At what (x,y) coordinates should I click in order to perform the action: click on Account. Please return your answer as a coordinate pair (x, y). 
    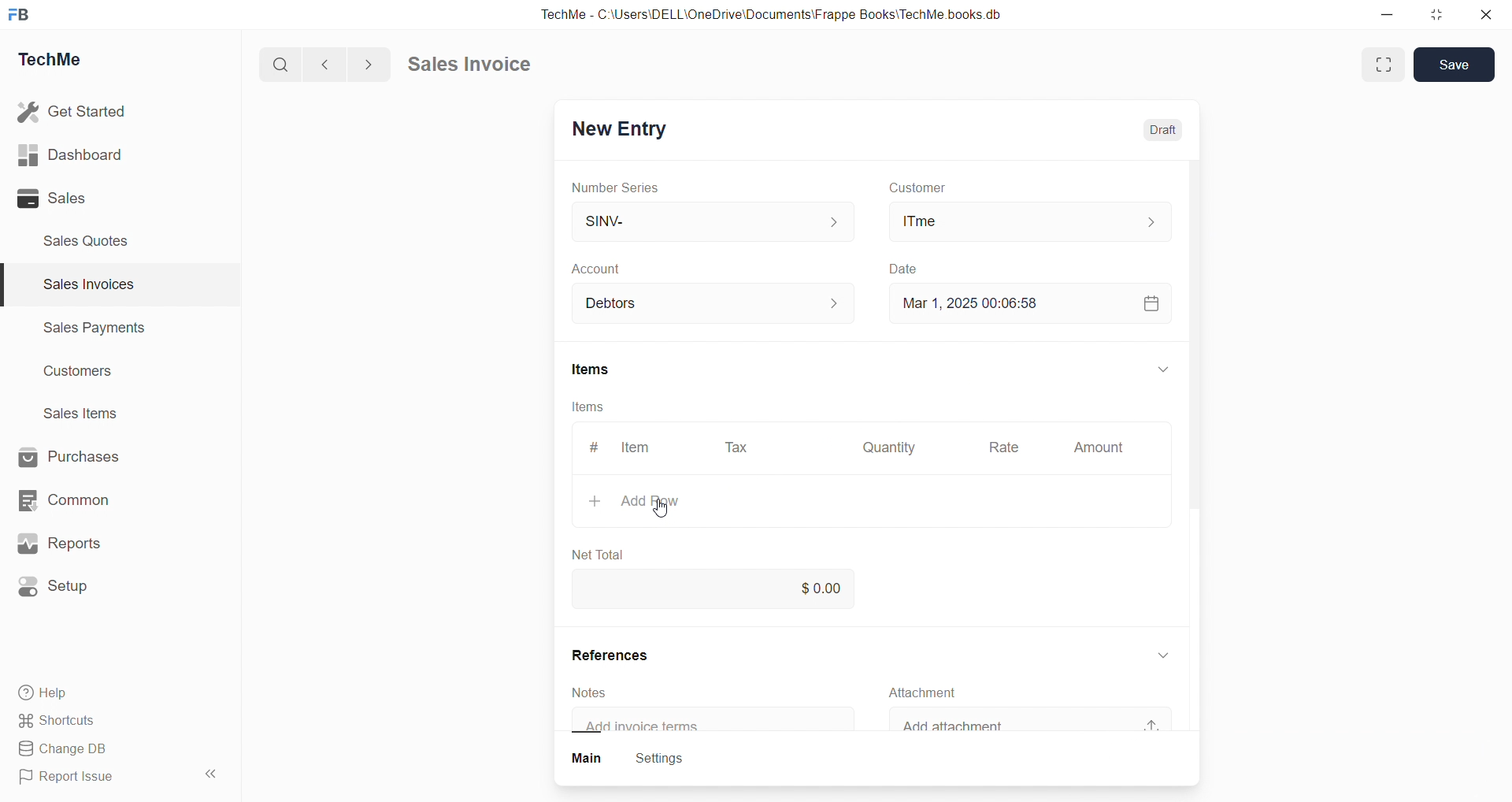
    Looking at the image, I should click on (621, 270).